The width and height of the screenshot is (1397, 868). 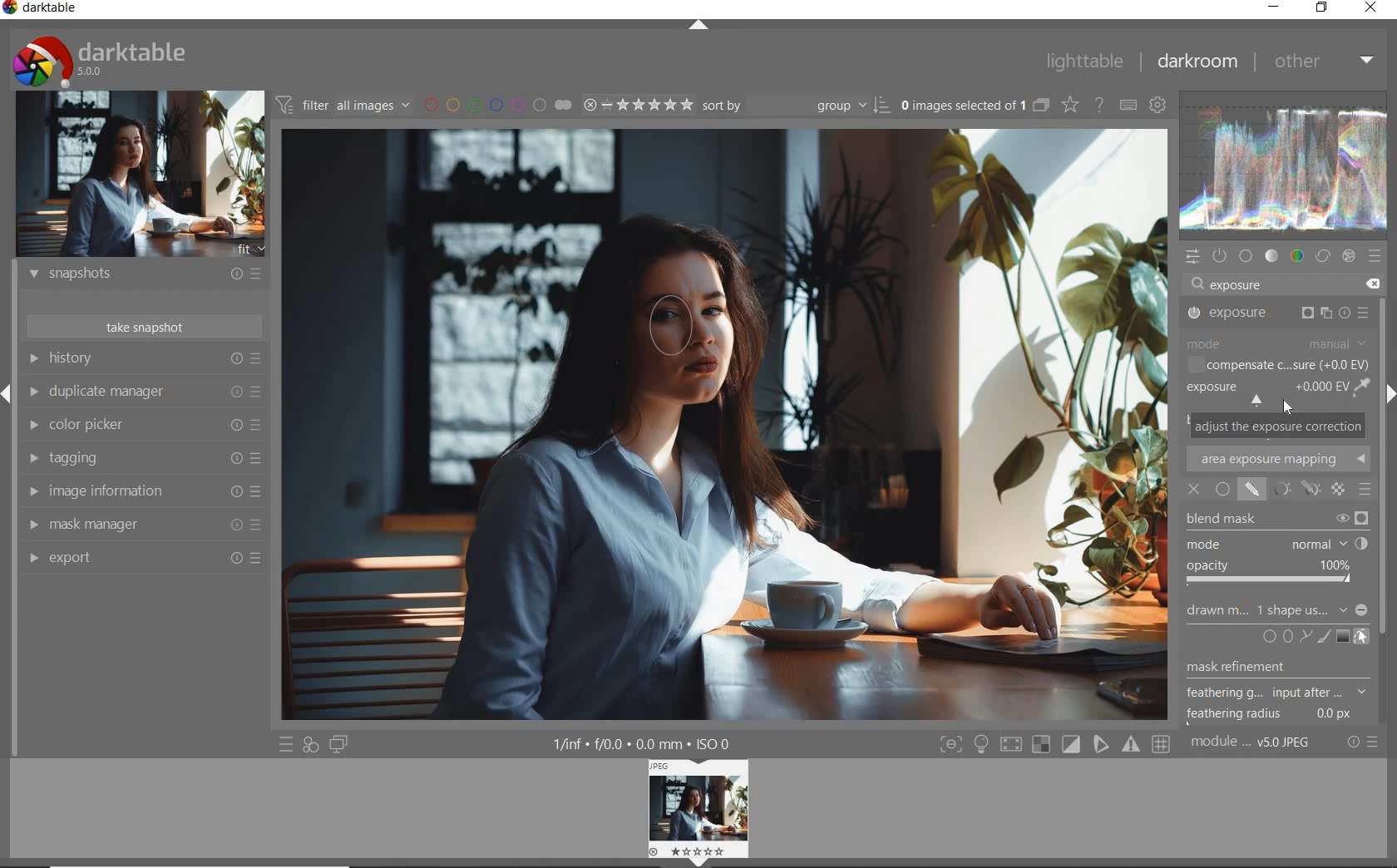 I want to click on OPACITY, so click(x=1273, y=574).